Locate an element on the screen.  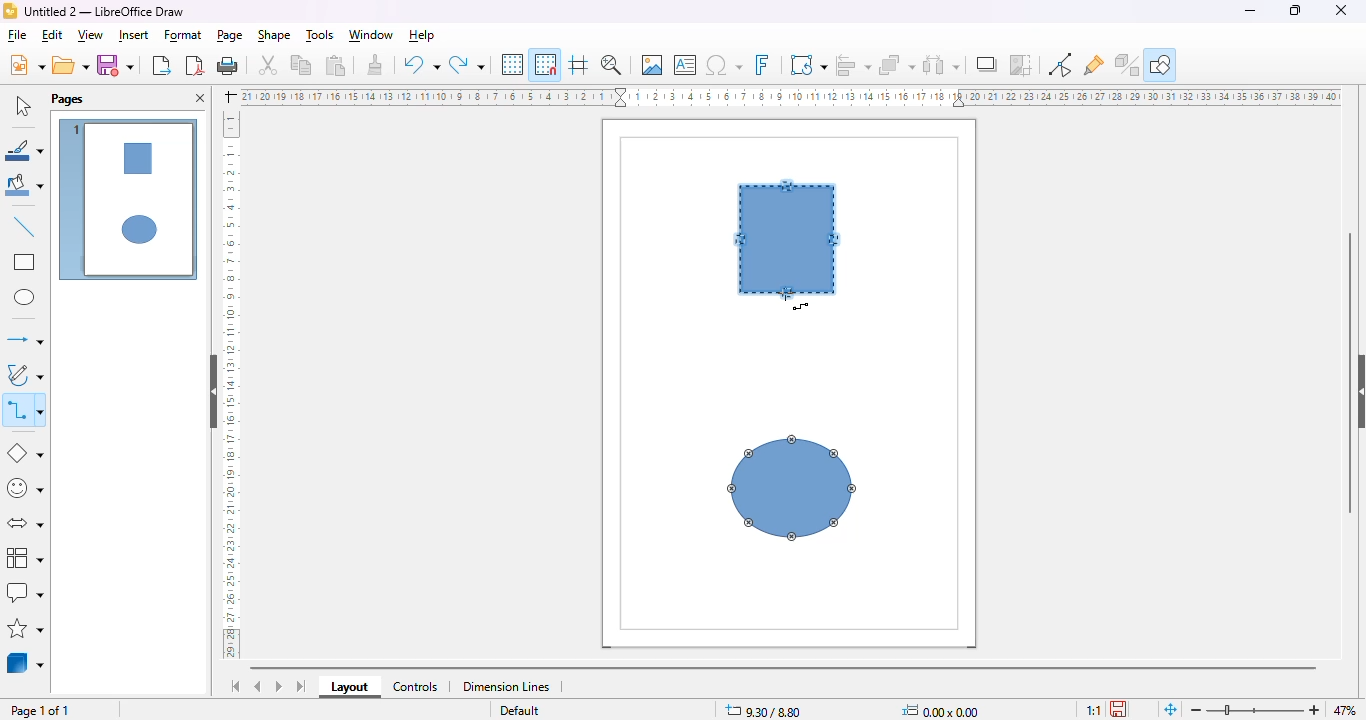
shape 2 is located at coordinates (793, 489).